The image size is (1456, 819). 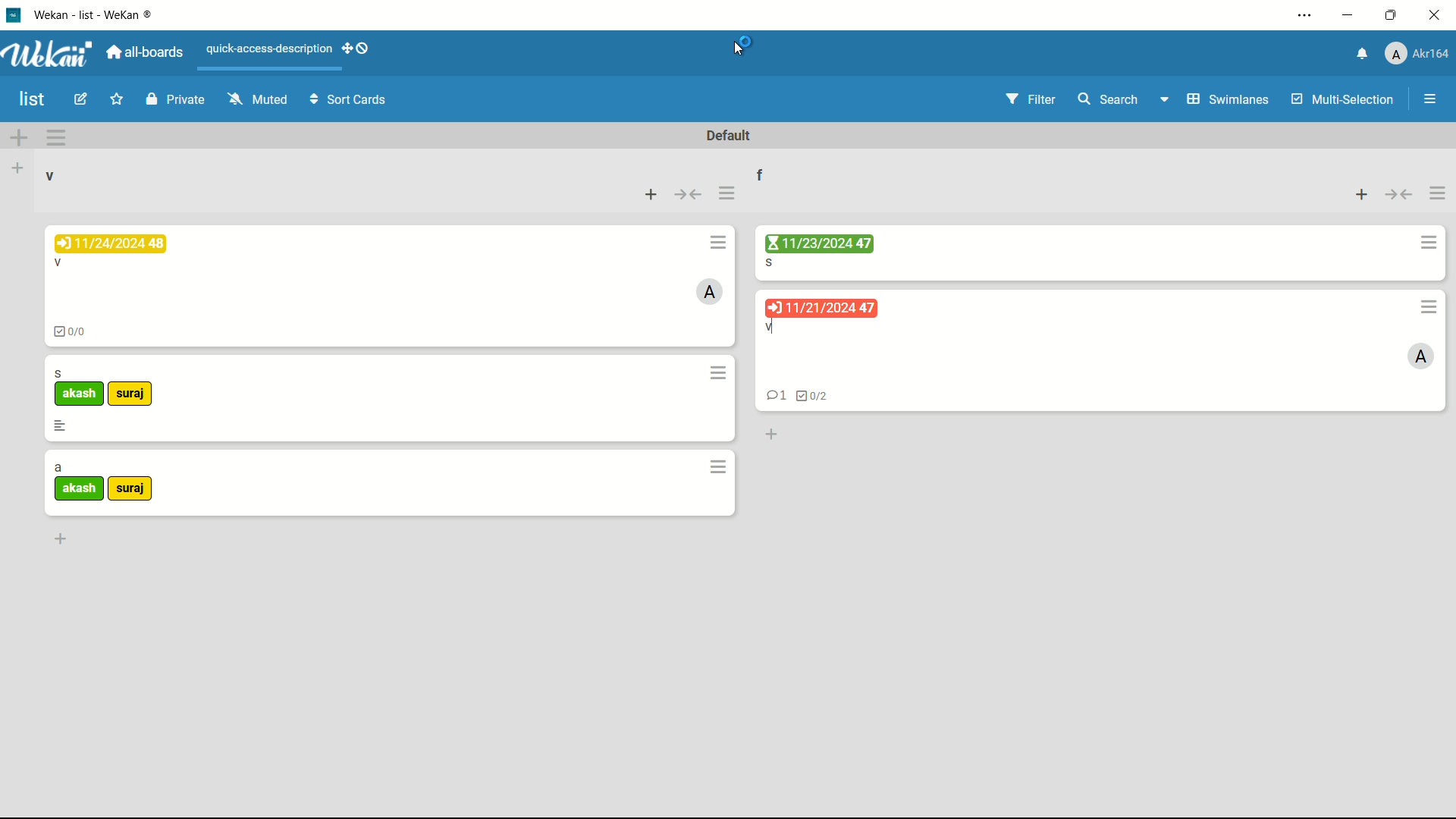 What do you see at coordinates (1391, 16) in the screenshot?
I see `maximize` at bounding box center [1391, 16].